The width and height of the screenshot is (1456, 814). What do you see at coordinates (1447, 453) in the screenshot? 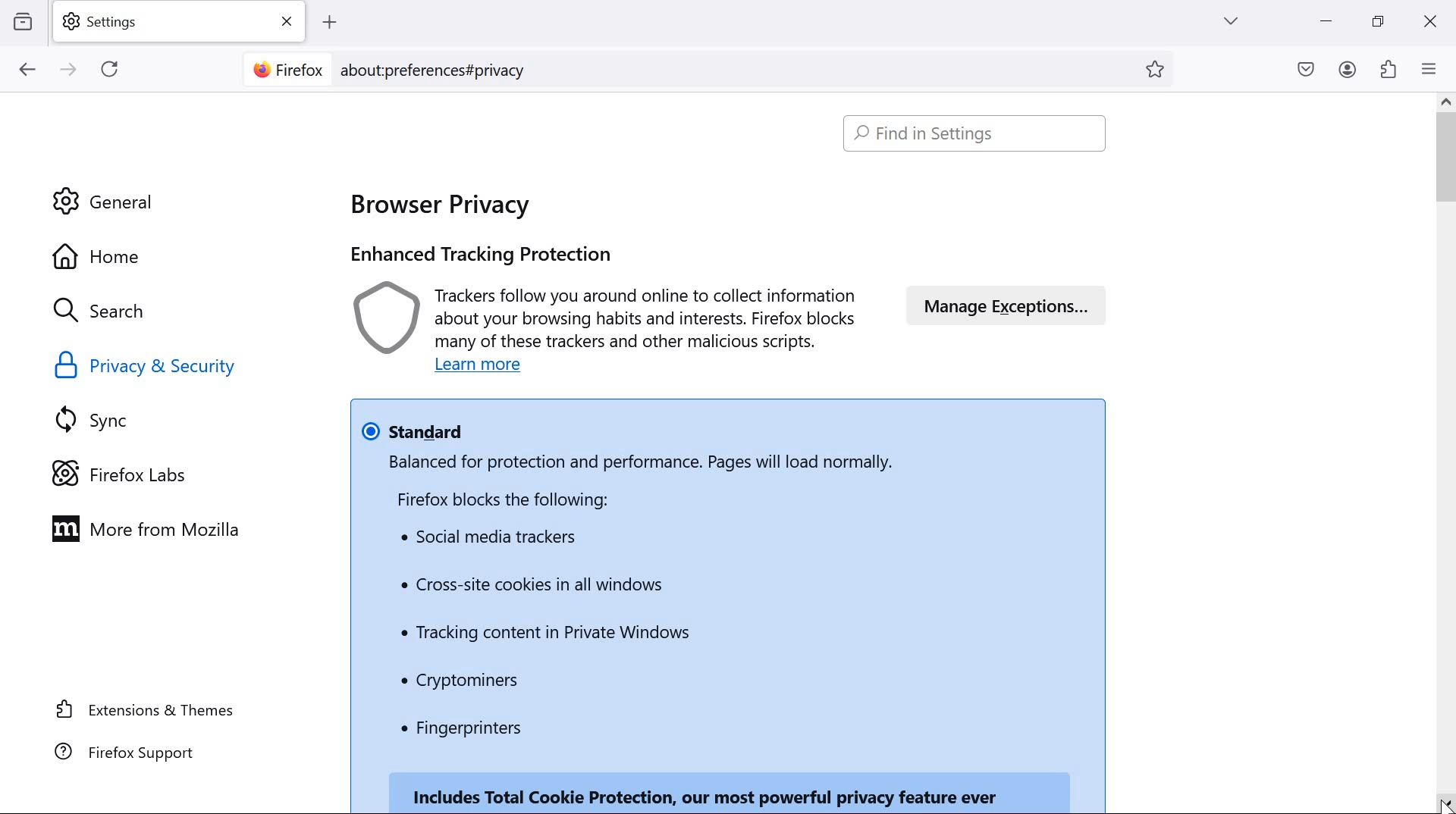
I see `scrollbar` at bounding box center [1447, 453].